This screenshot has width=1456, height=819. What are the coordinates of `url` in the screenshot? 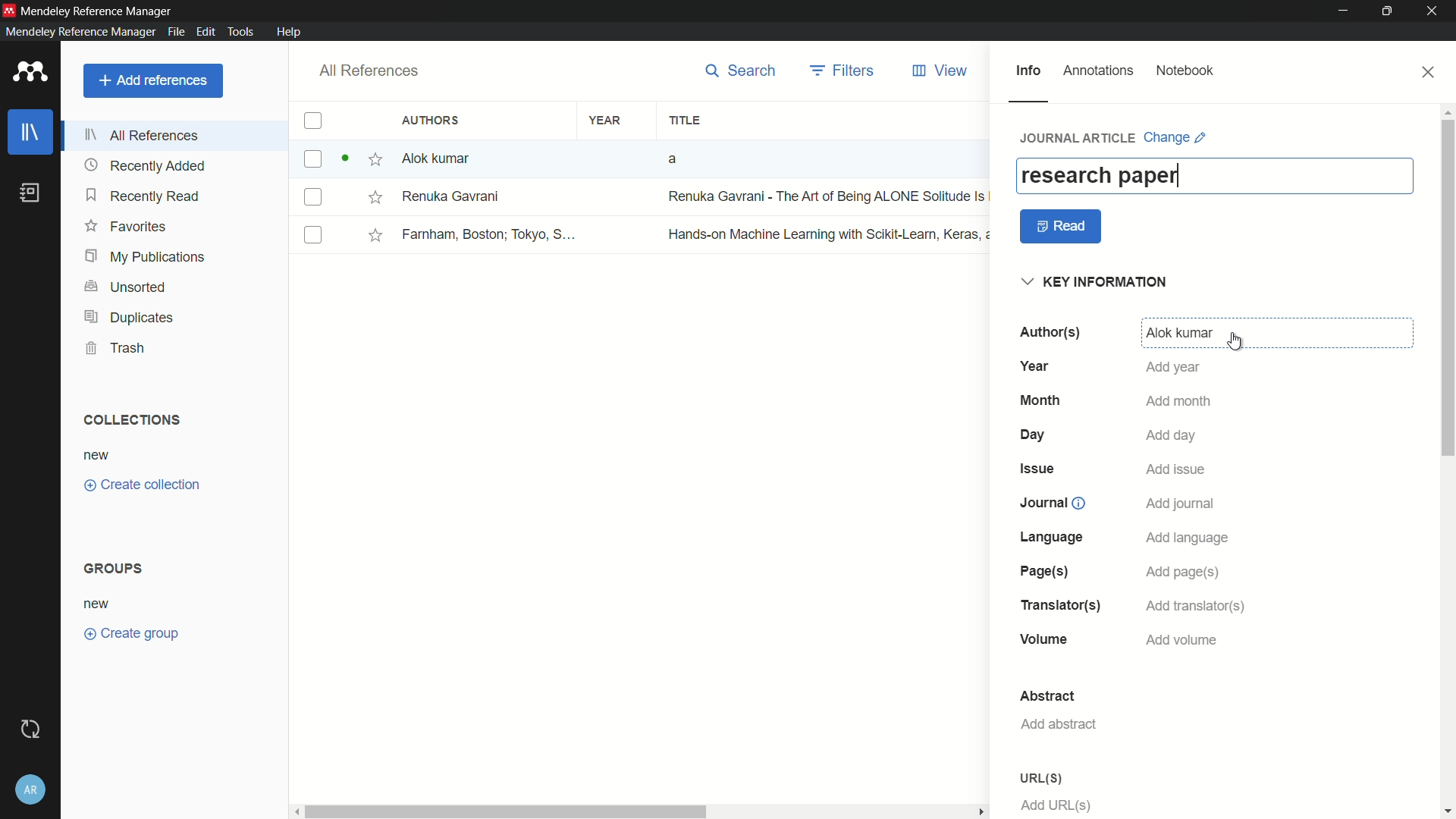 It's located at (1040, 778).